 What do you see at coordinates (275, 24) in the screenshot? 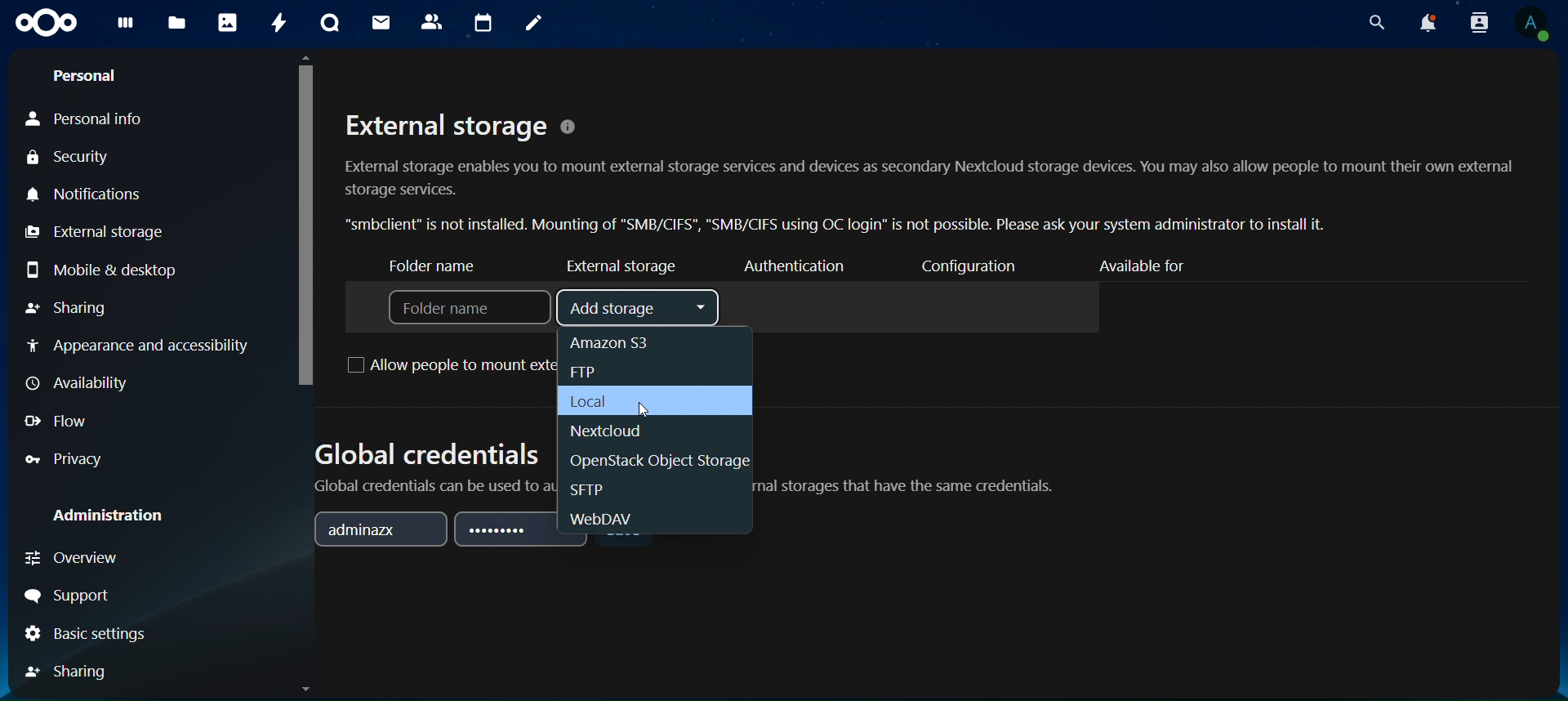
I see `activity` at bounding box center [275, 24].